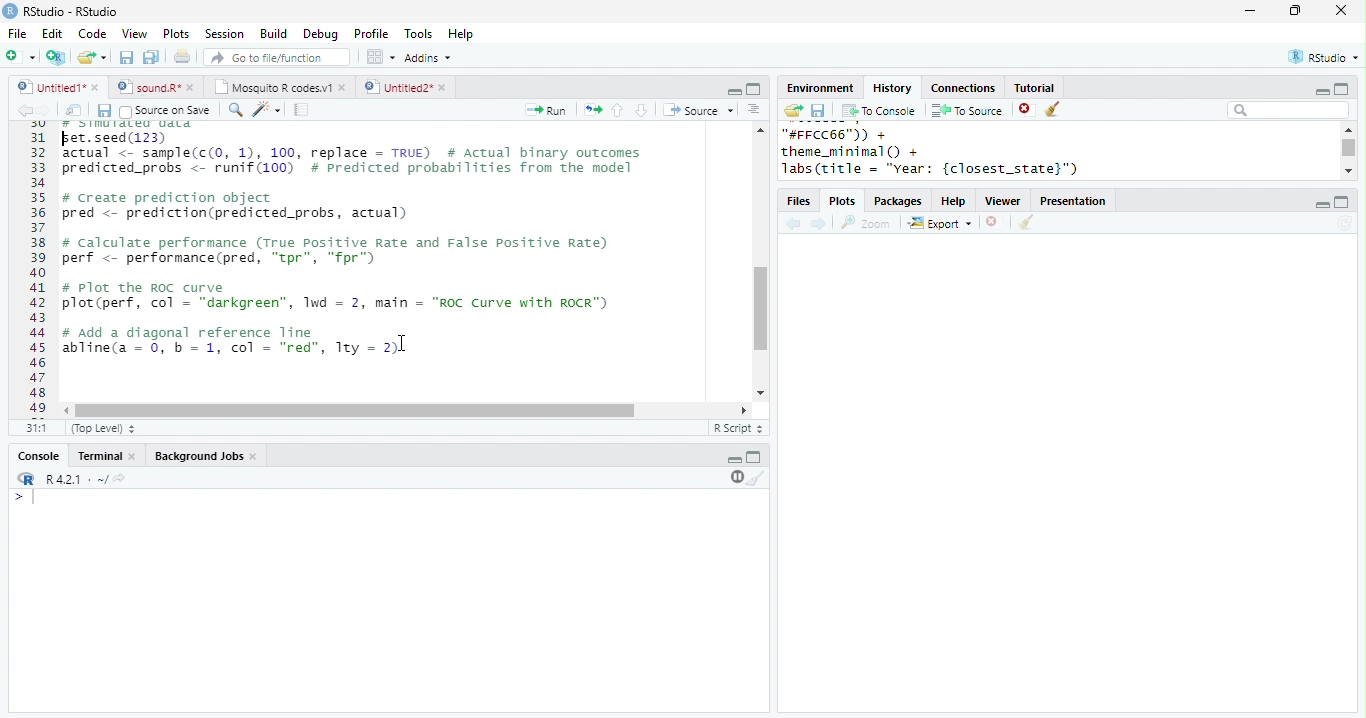 This screenshot has width=1366, height=718. I want to click on up, so click(616, 110).